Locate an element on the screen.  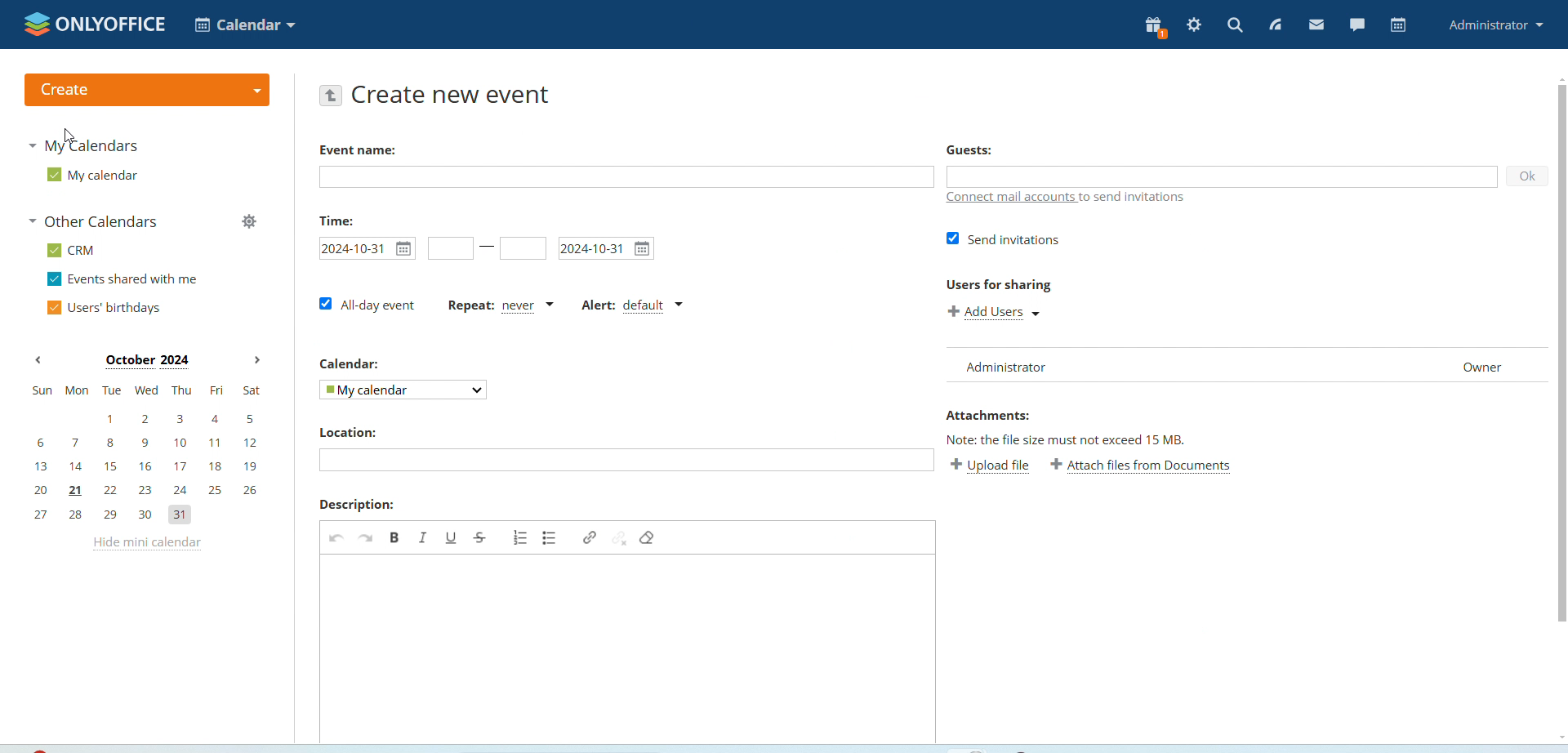
add users is located at coordinates (1000, 311).